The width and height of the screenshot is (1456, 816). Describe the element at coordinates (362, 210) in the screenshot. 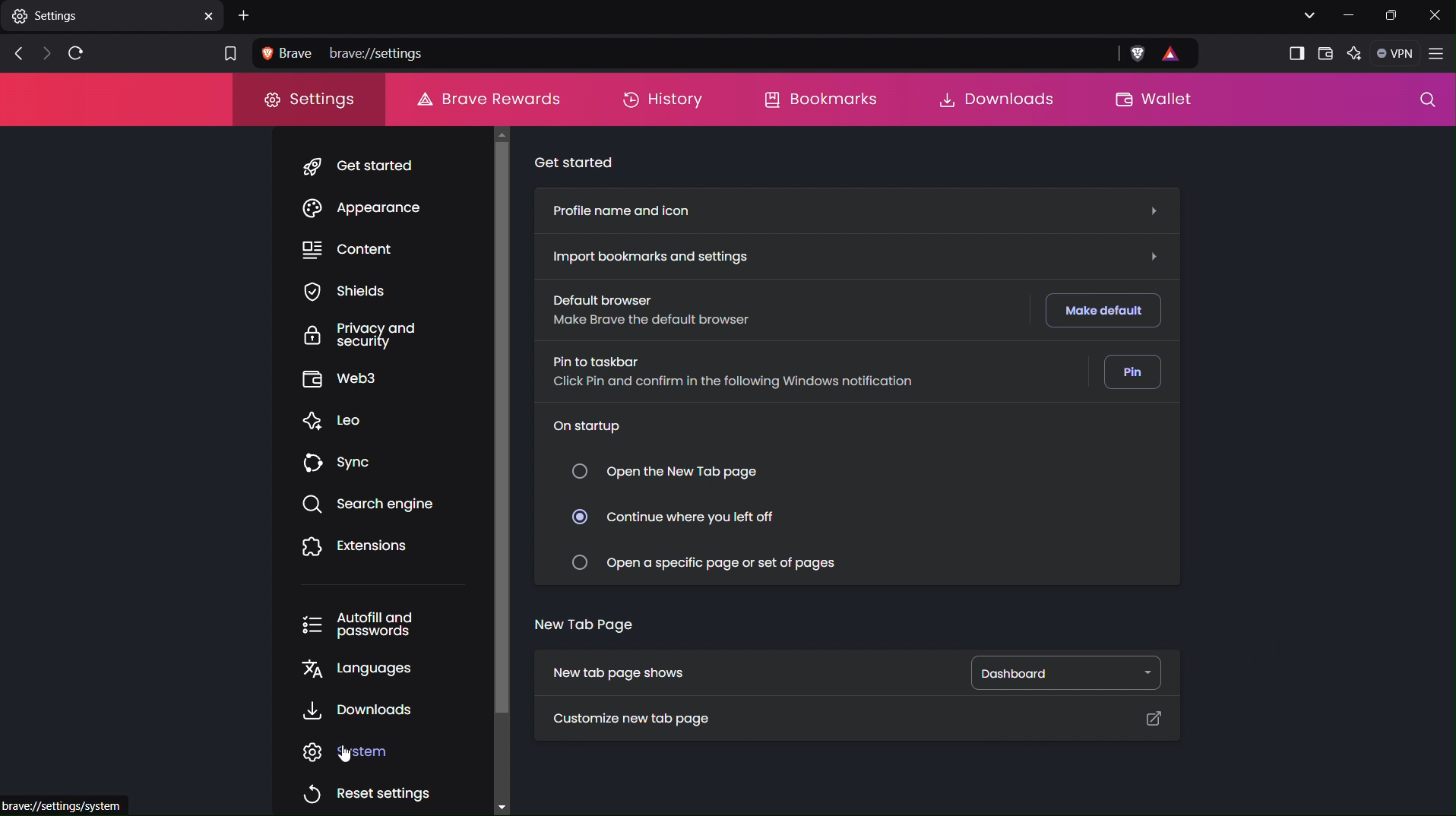

I see `Appearance` at that location.